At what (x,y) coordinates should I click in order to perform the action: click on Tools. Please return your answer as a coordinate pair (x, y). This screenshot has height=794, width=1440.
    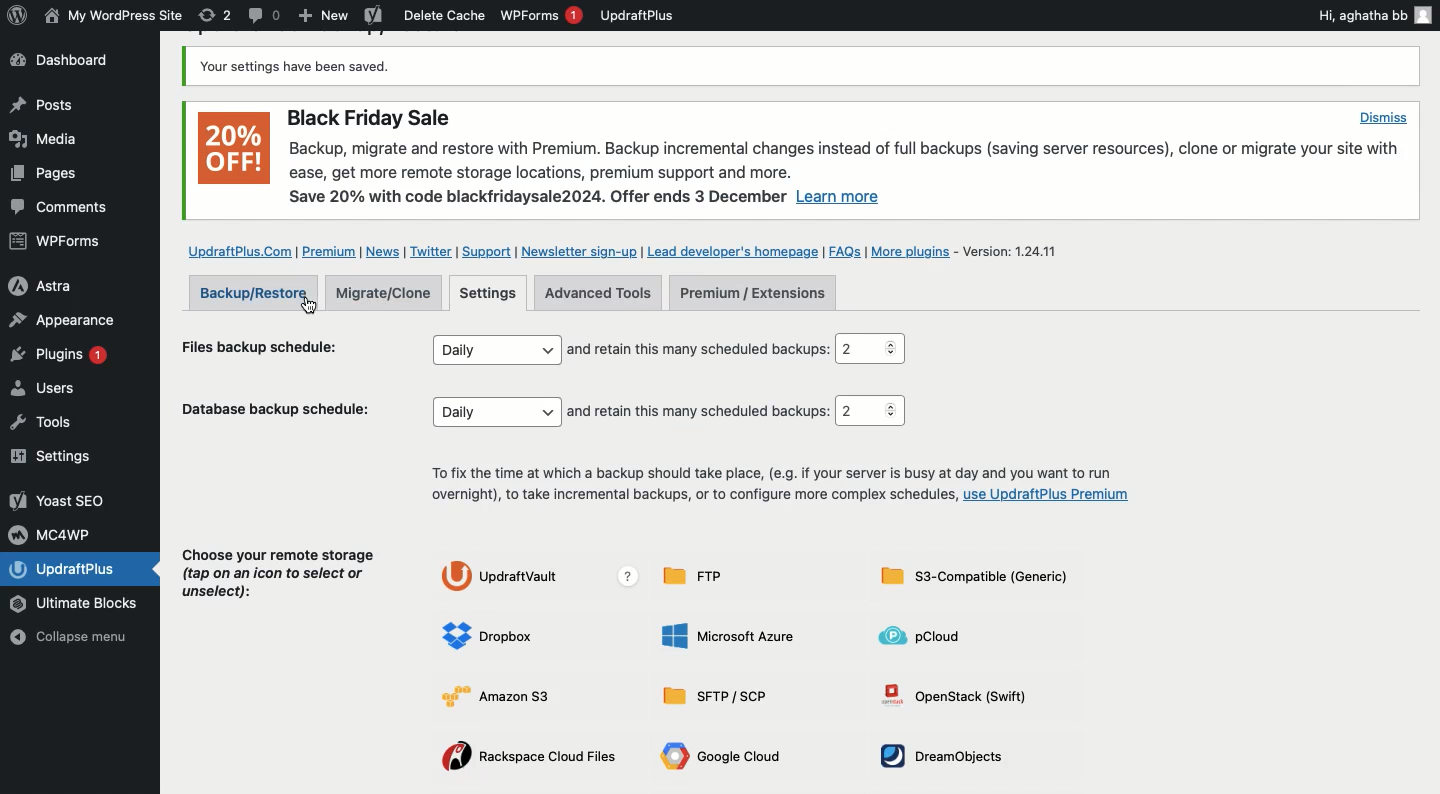
    Looking at the image, I should click on (54, 422).